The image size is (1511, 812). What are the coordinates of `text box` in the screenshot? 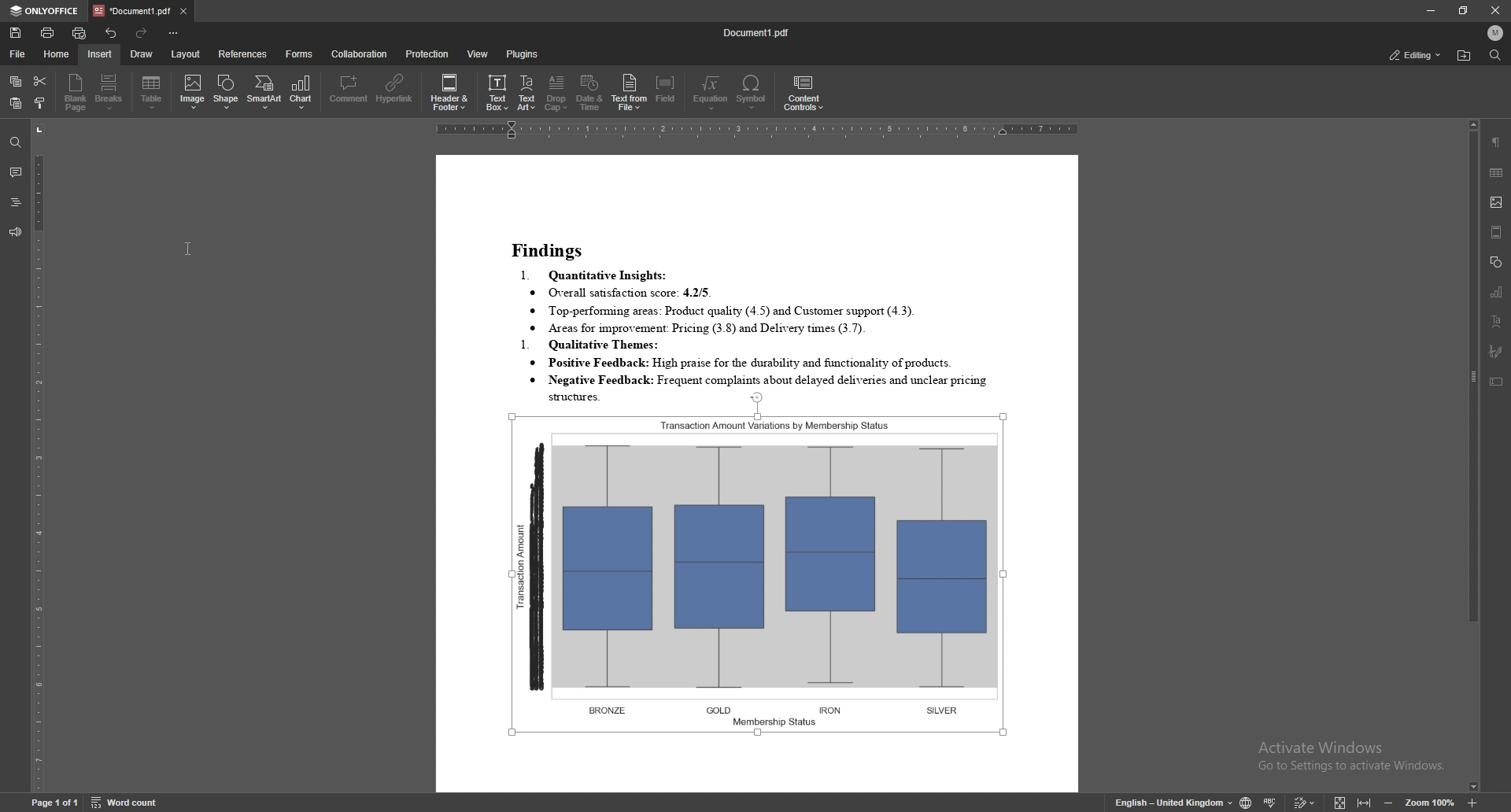 It's located at (497, 93).